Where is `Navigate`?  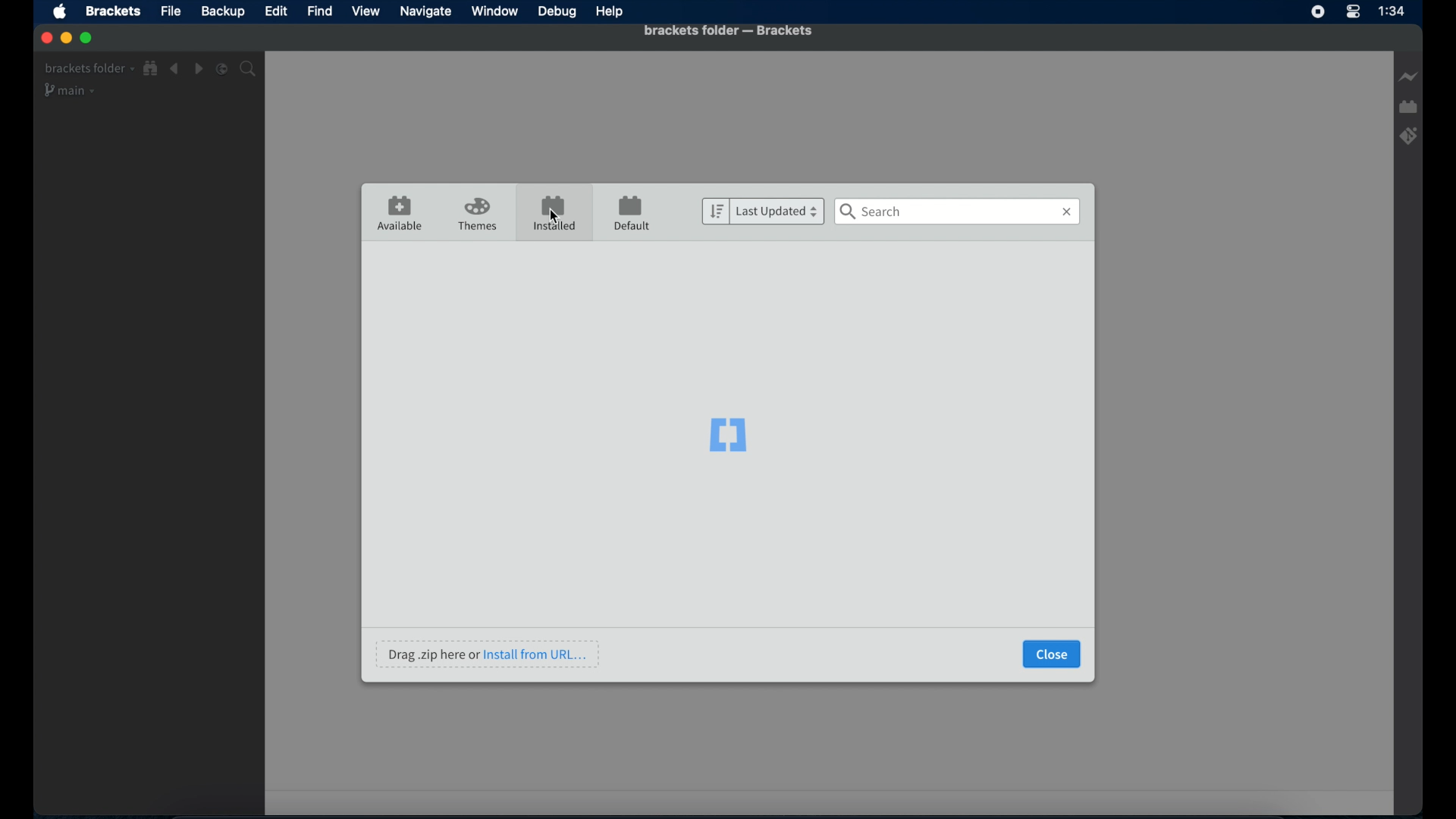 Navigate is located at coordinates (425, 12).